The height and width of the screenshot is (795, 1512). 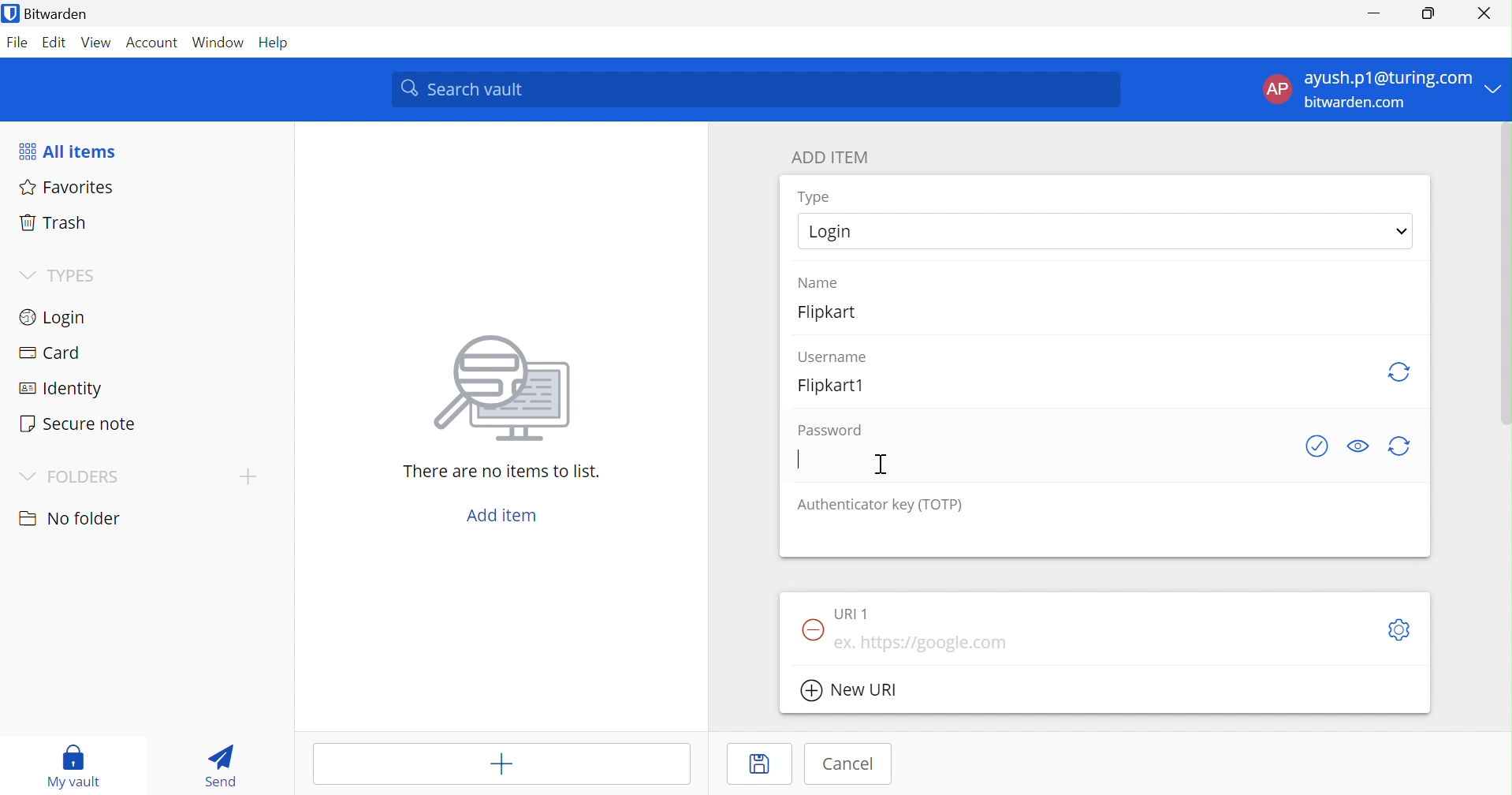 What do you see at coordinates (1361, 444) in the screenshot?
I see `Toggle Visibility` at bounding box center [1361, 444].